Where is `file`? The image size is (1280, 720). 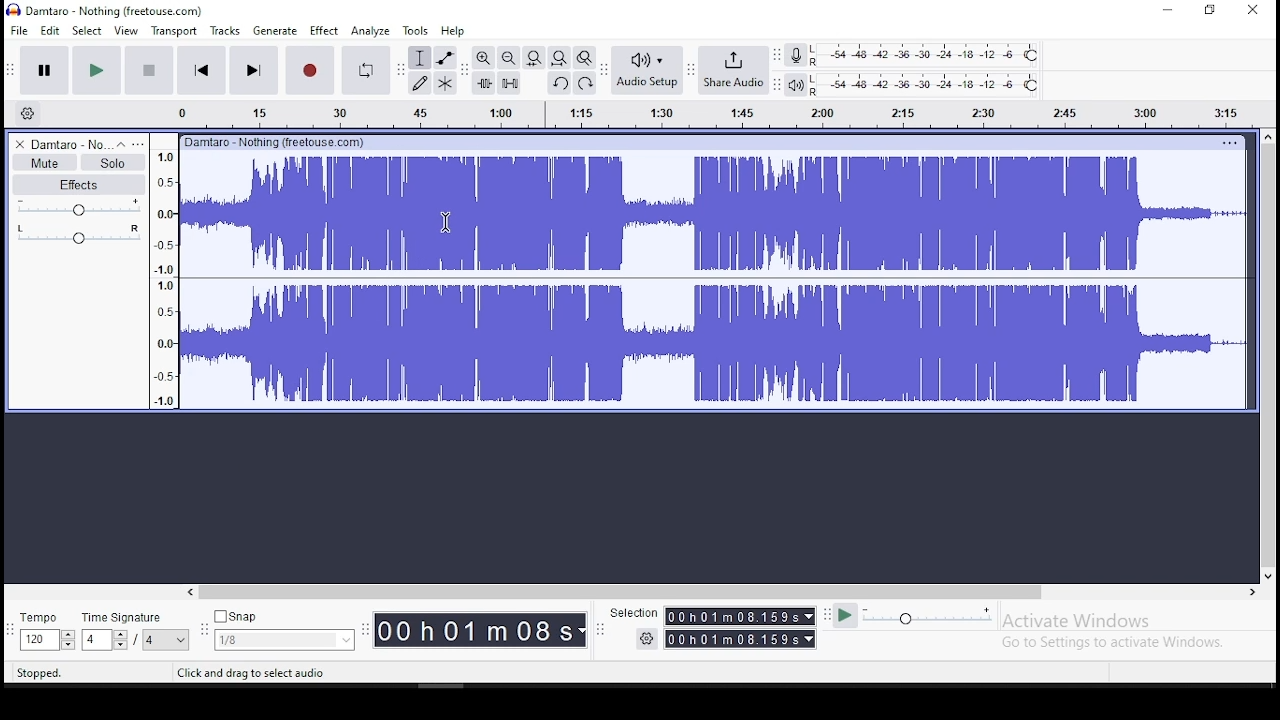
file is located at coordinates (18, 29).